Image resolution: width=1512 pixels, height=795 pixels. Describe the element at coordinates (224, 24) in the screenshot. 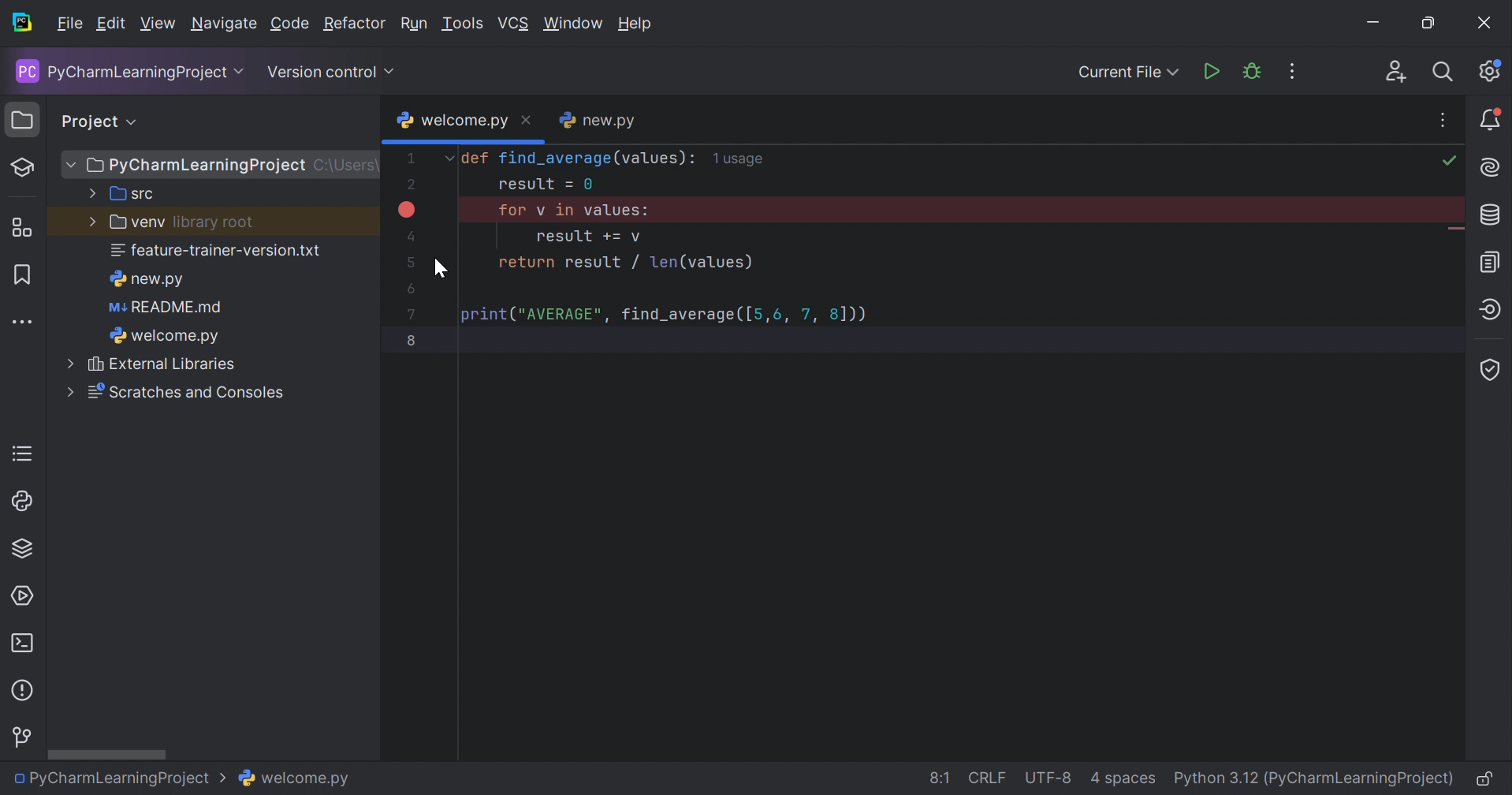

I see `Navigate` at that location.